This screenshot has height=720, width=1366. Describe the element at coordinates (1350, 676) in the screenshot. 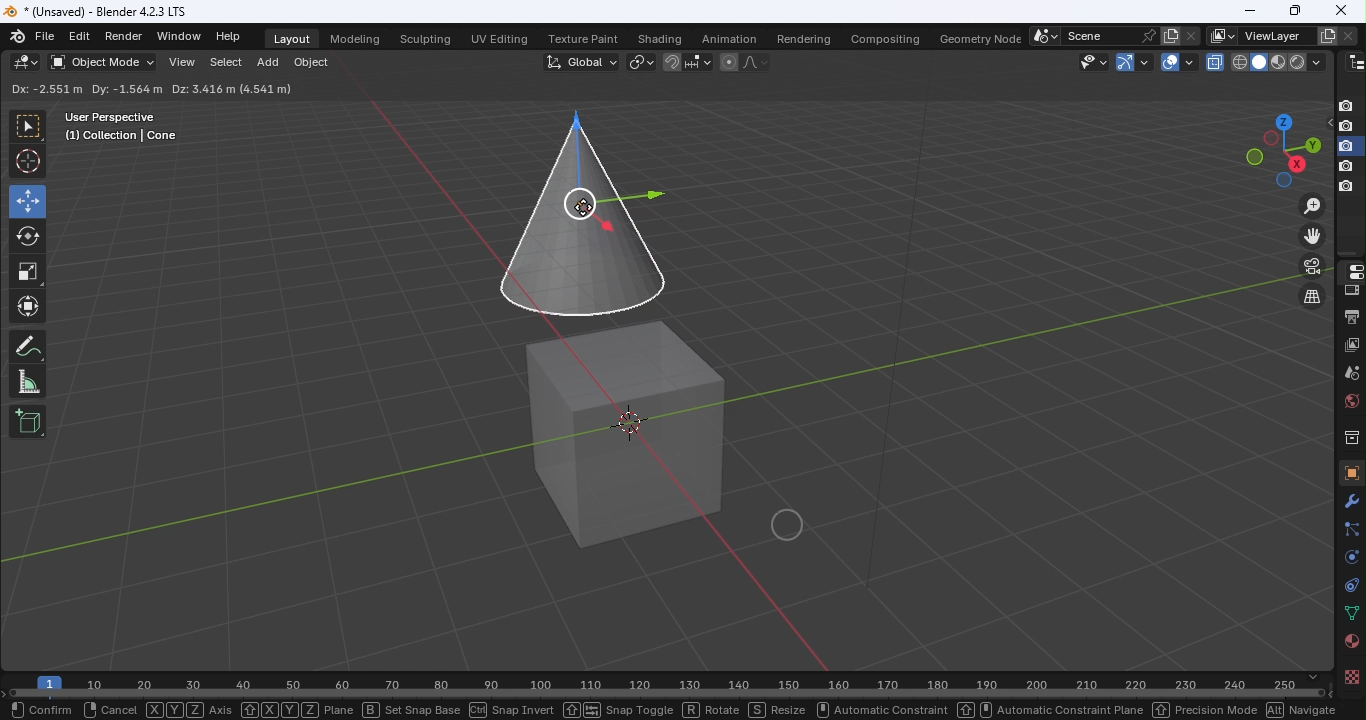

I see `texture` at that location.